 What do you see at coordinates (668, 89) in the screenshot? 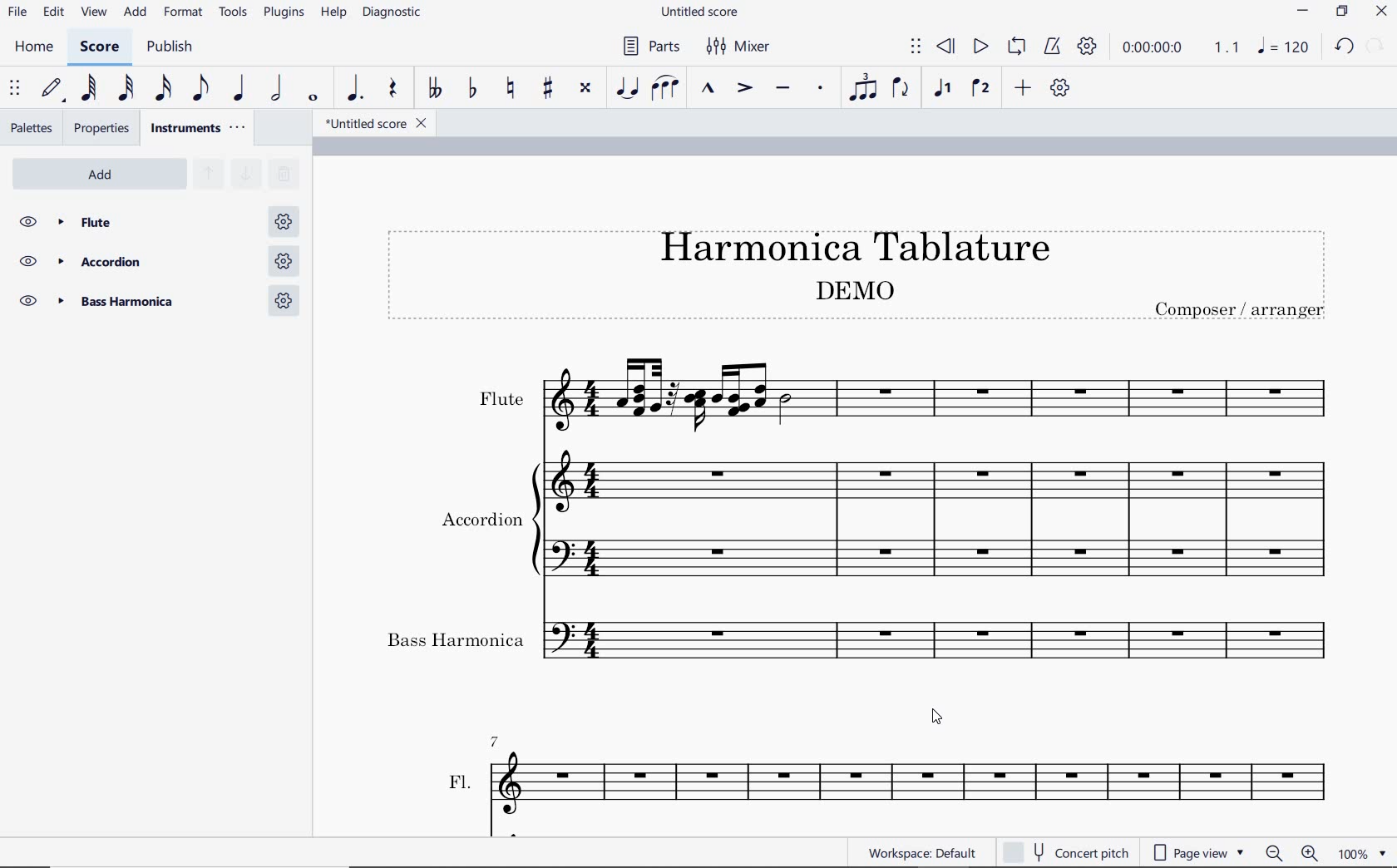
I see `slur` at bounding box center [668, 89].